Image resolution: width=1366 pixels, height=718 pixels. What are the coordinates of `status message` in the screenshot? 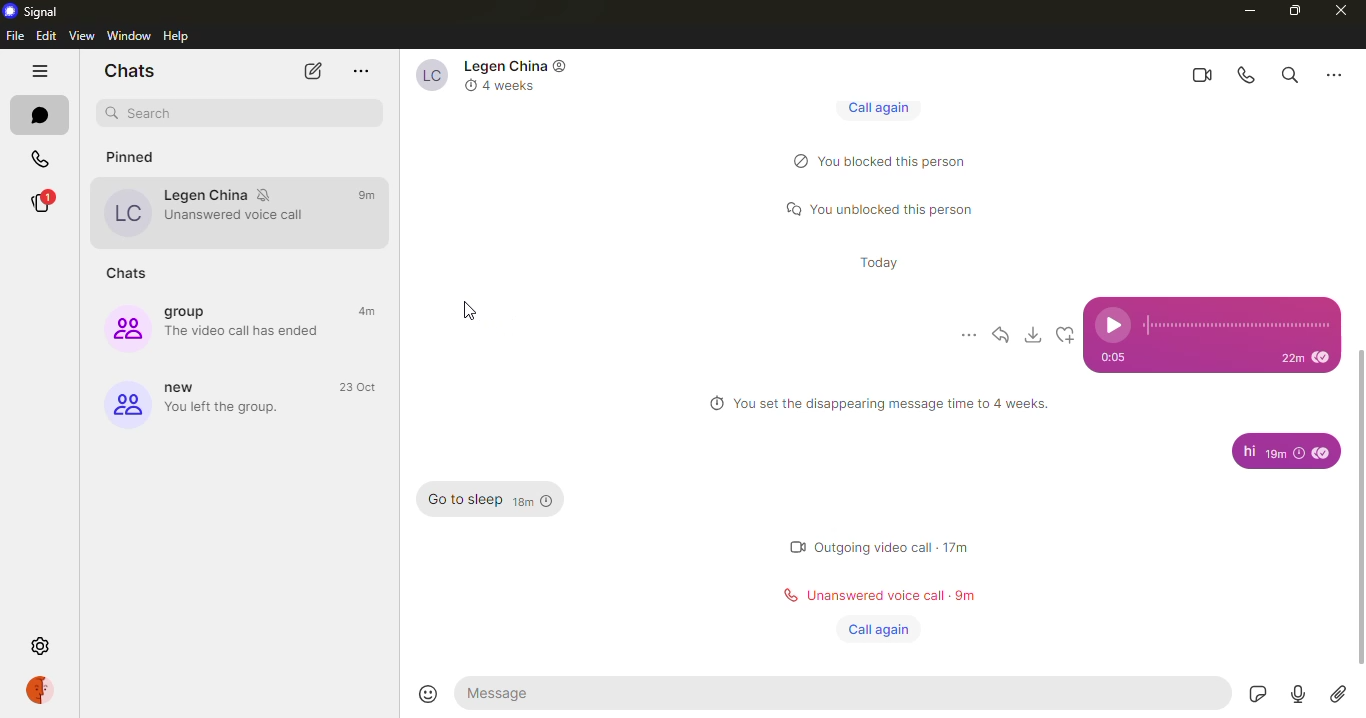 It's located at (872, 208).